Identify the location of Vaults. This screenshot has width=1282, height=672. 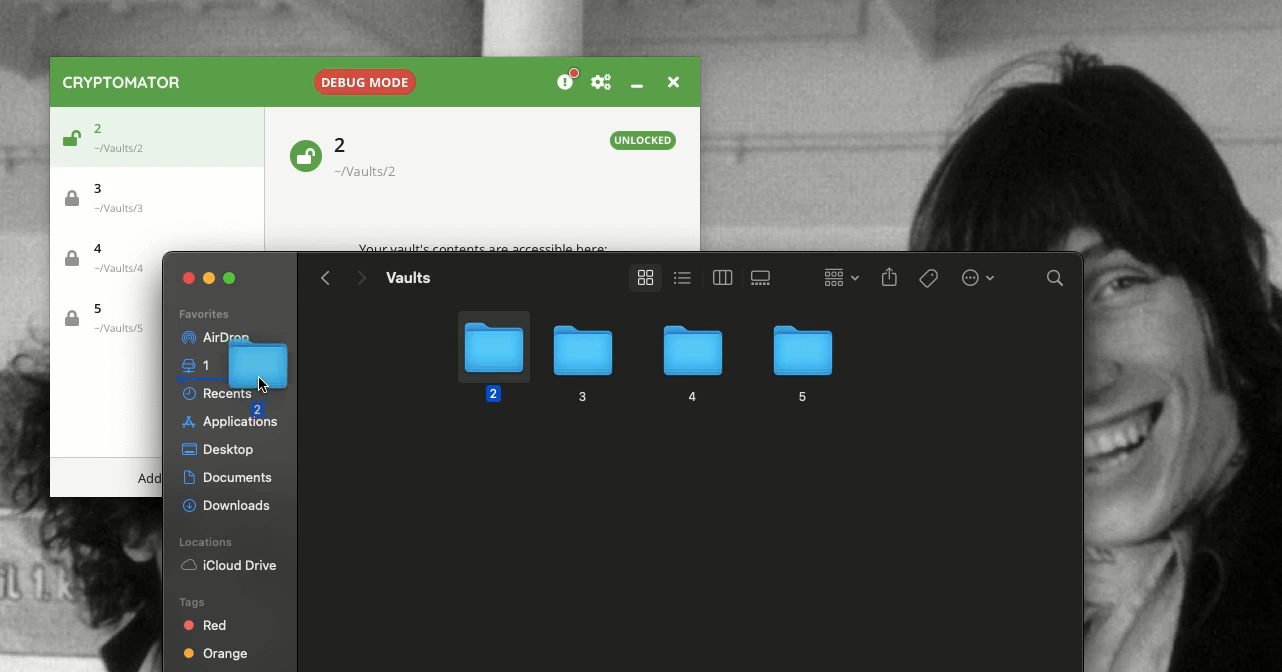
(408, 277).